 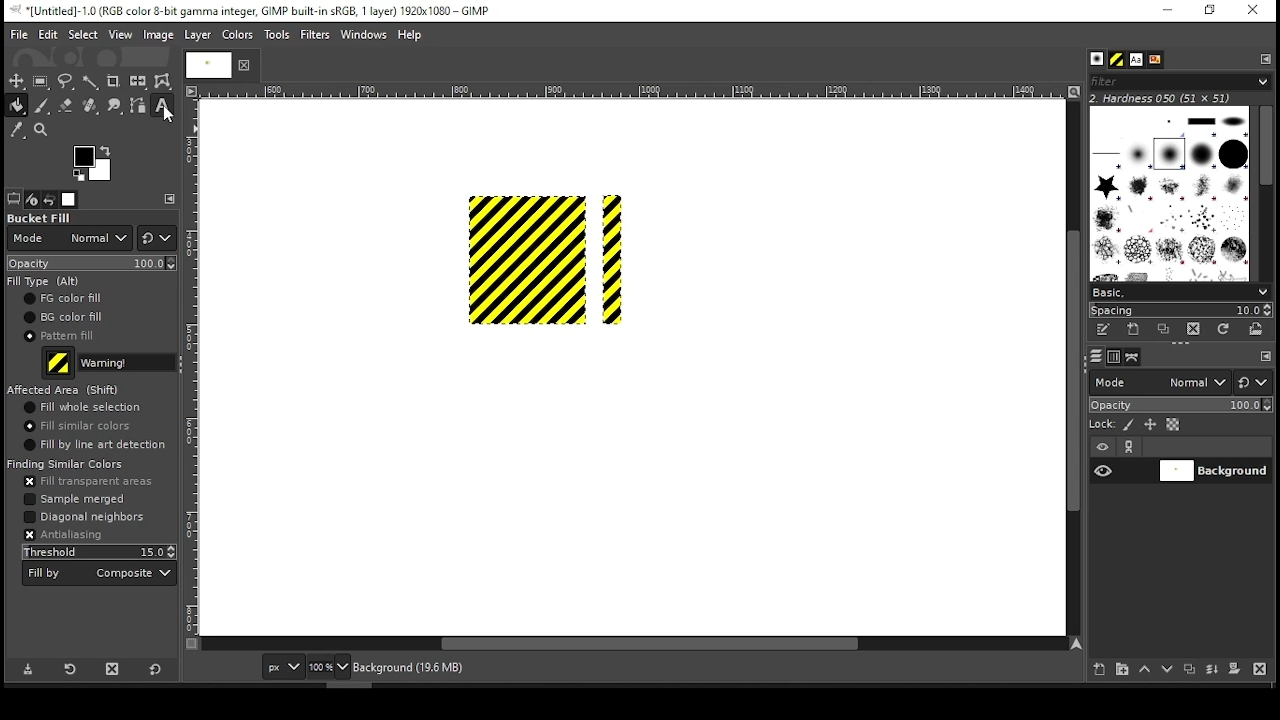 I want to click on merge layer, so click(x=1212, y=670).